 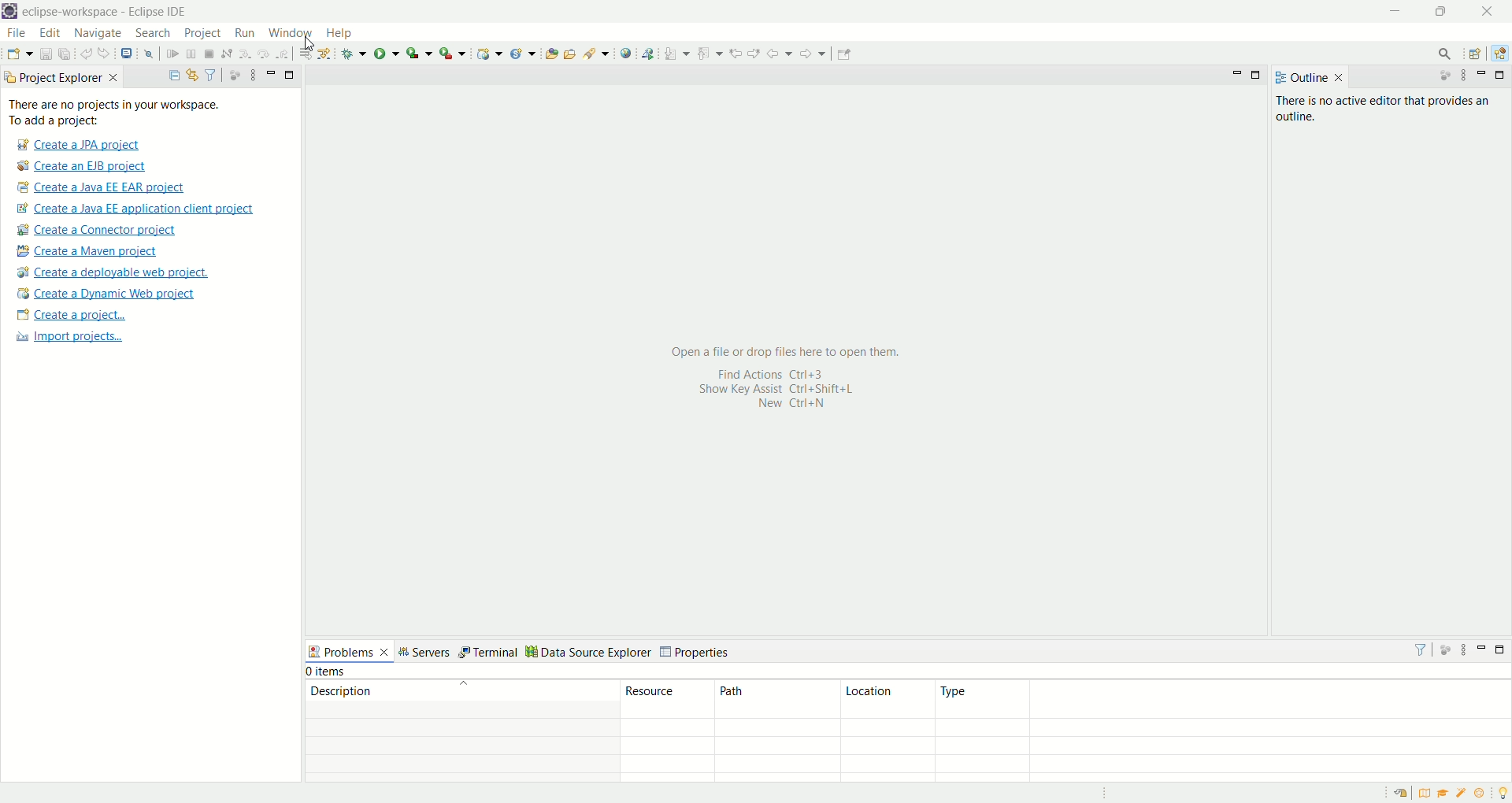 What do you see at coordinates (595, 54) in the screenshot?
I see `search` at bounding box center [595, 54].